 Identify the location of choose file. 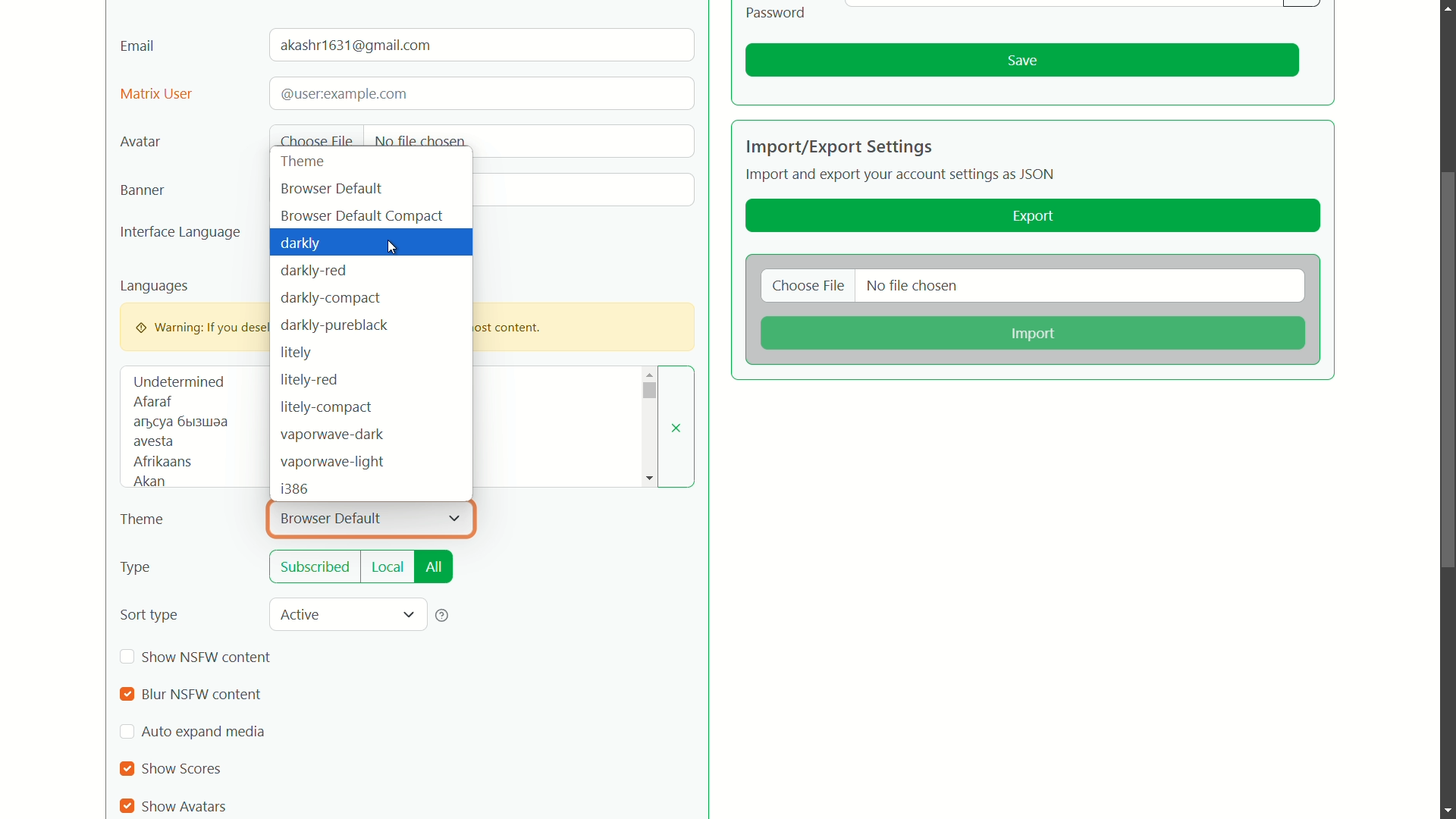
(316, 143).